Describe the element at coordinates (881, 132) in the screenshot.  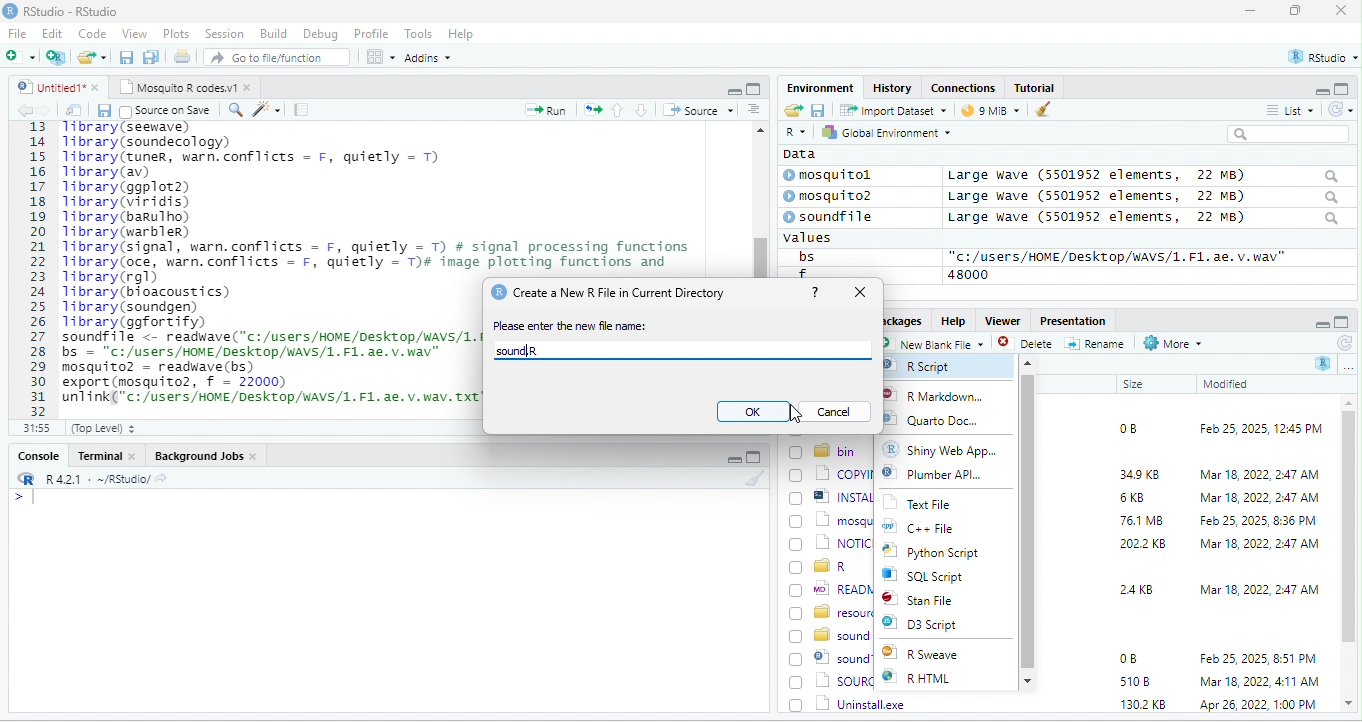
I see `hy Global Environment ~` at that location.